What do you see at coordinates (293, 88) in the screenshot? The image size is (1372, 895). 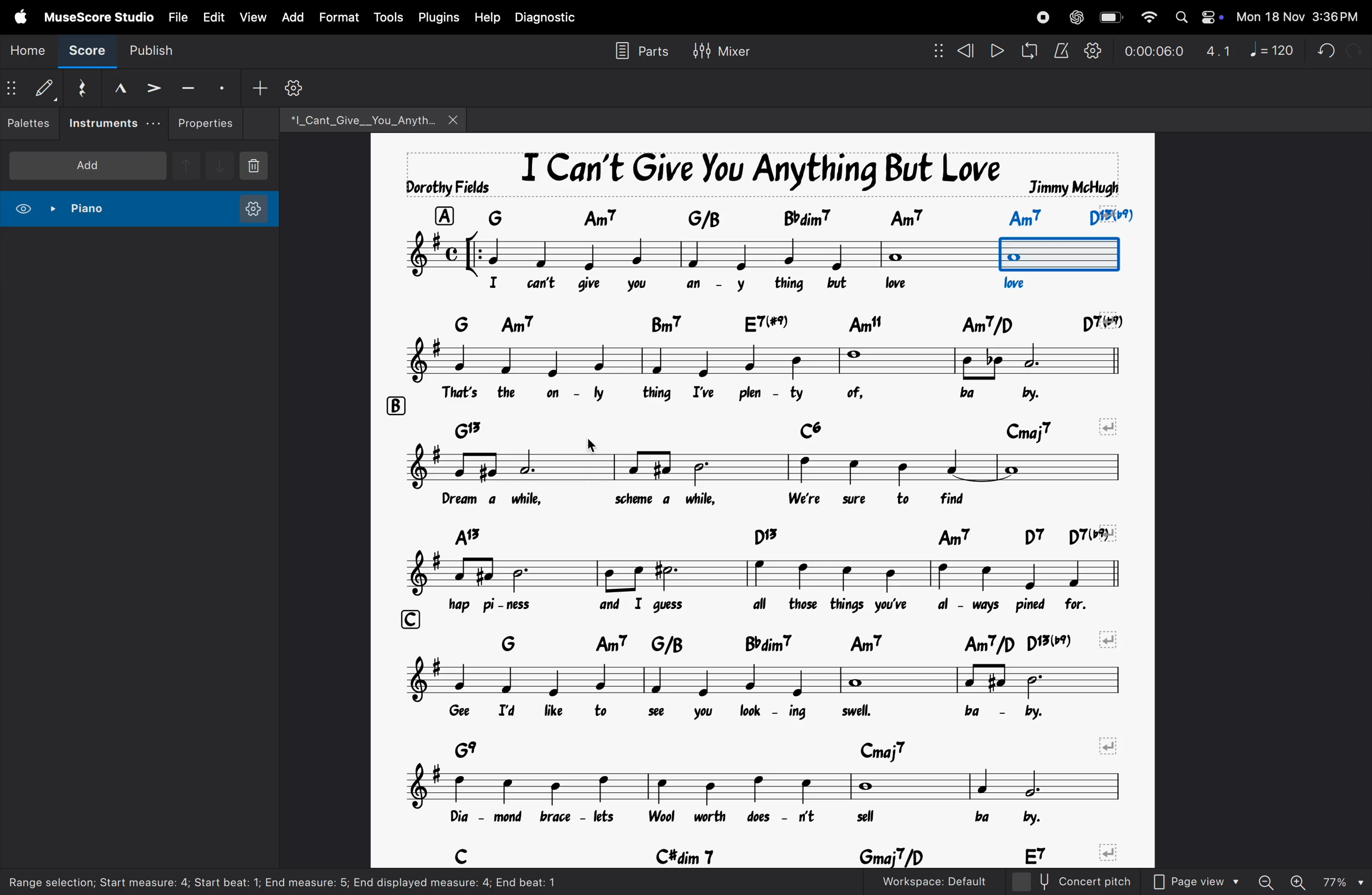 I see `settings` at bounding box center [293, 88].